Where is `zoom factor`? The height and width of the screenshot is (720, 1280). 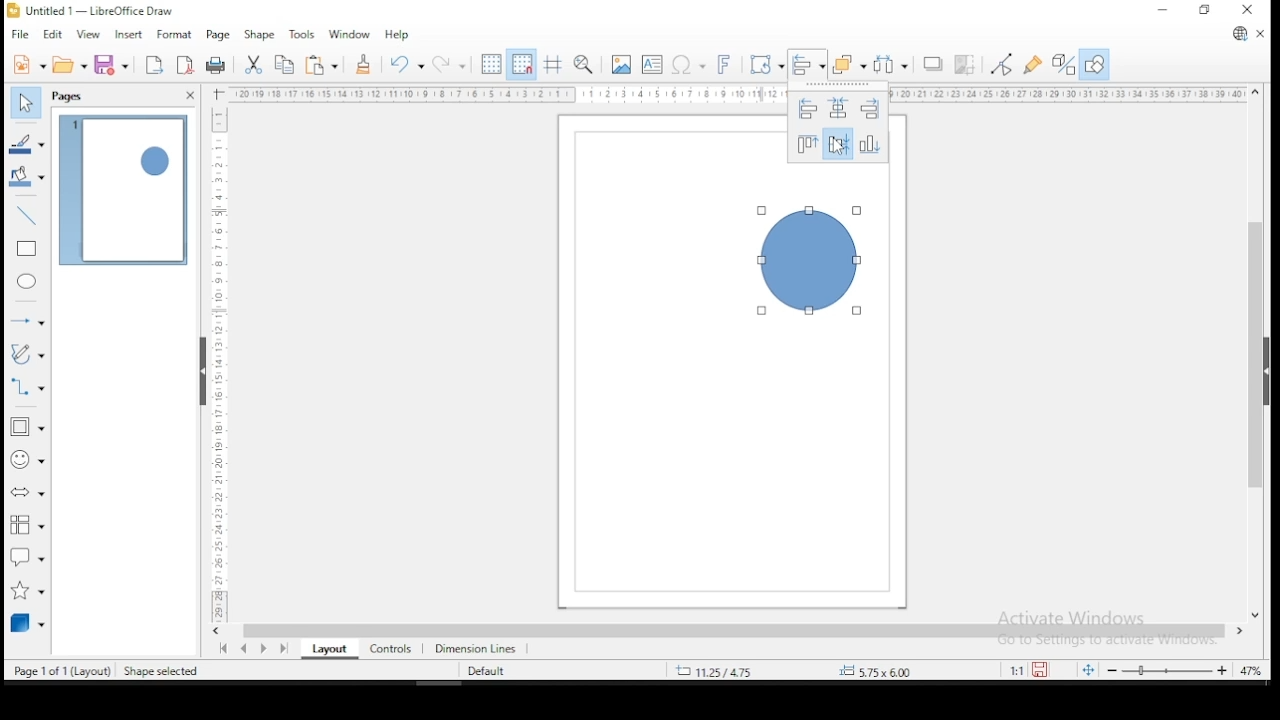
zoom factor is located at coordinates (926, 670).